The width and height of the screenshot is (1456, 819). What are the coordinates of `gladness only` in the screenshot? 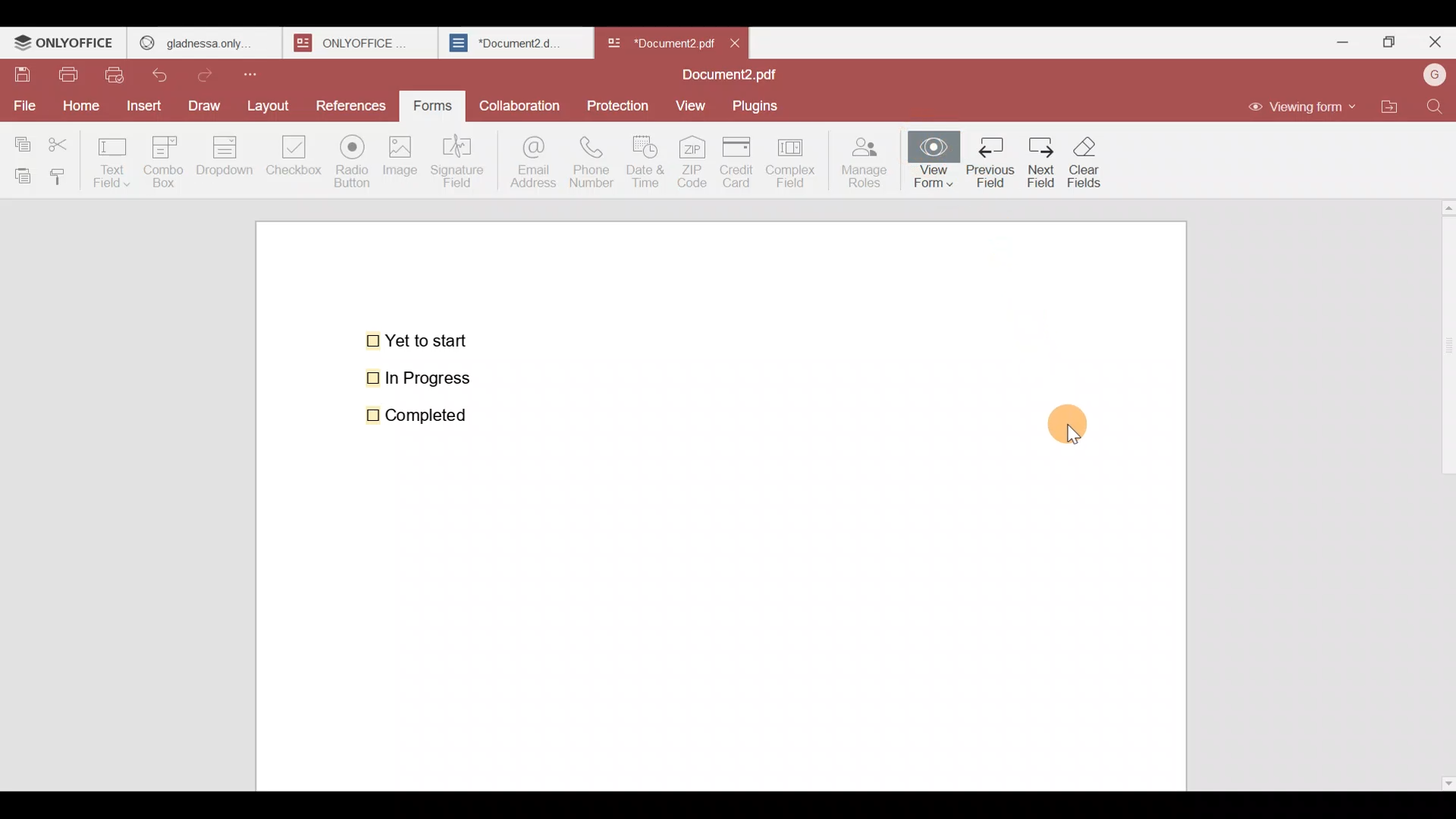 It's located at (203, 39).